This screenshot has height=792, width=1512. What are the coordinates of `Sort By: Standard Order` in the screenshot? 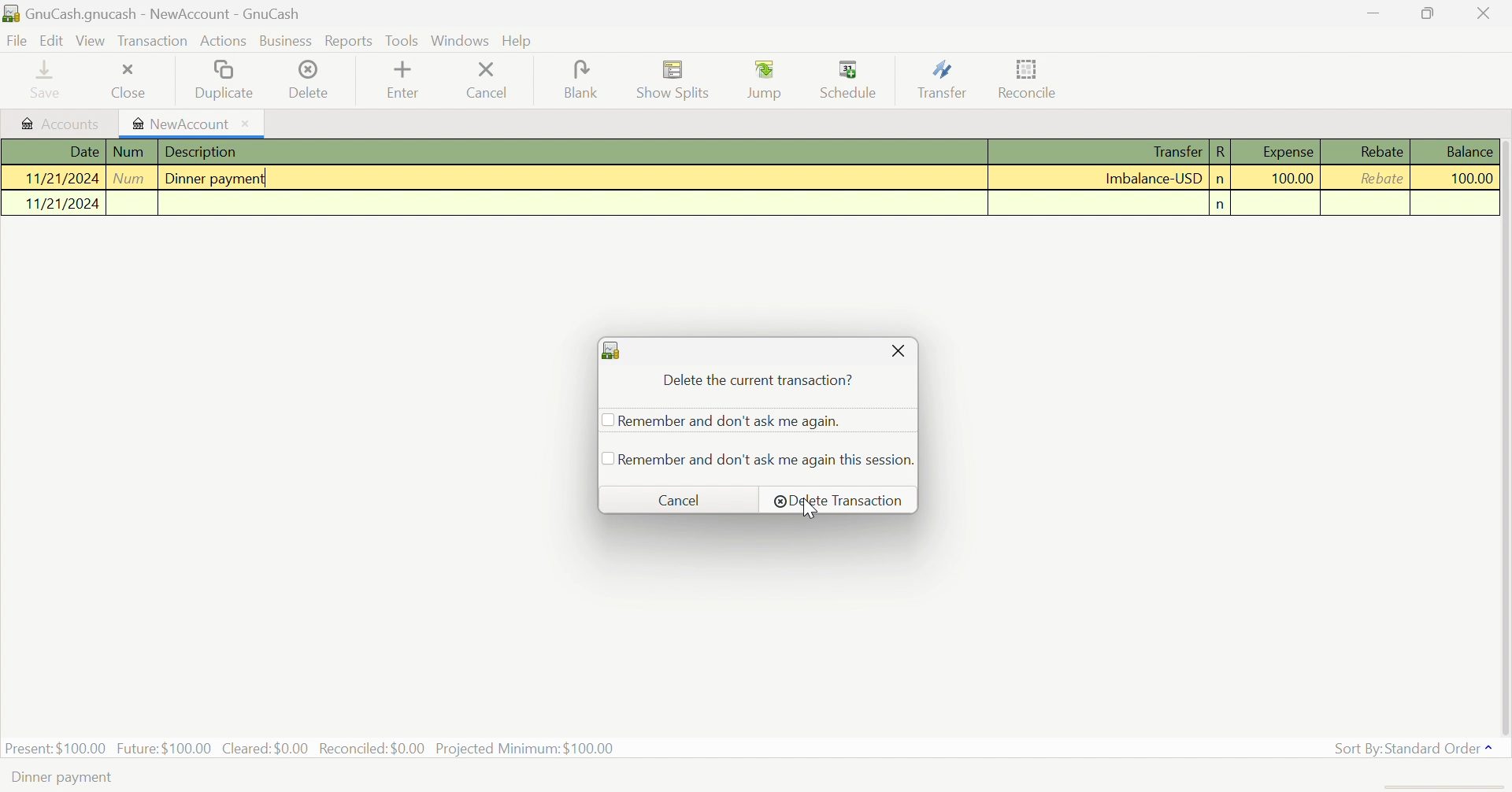 It's located at (1412, 748).